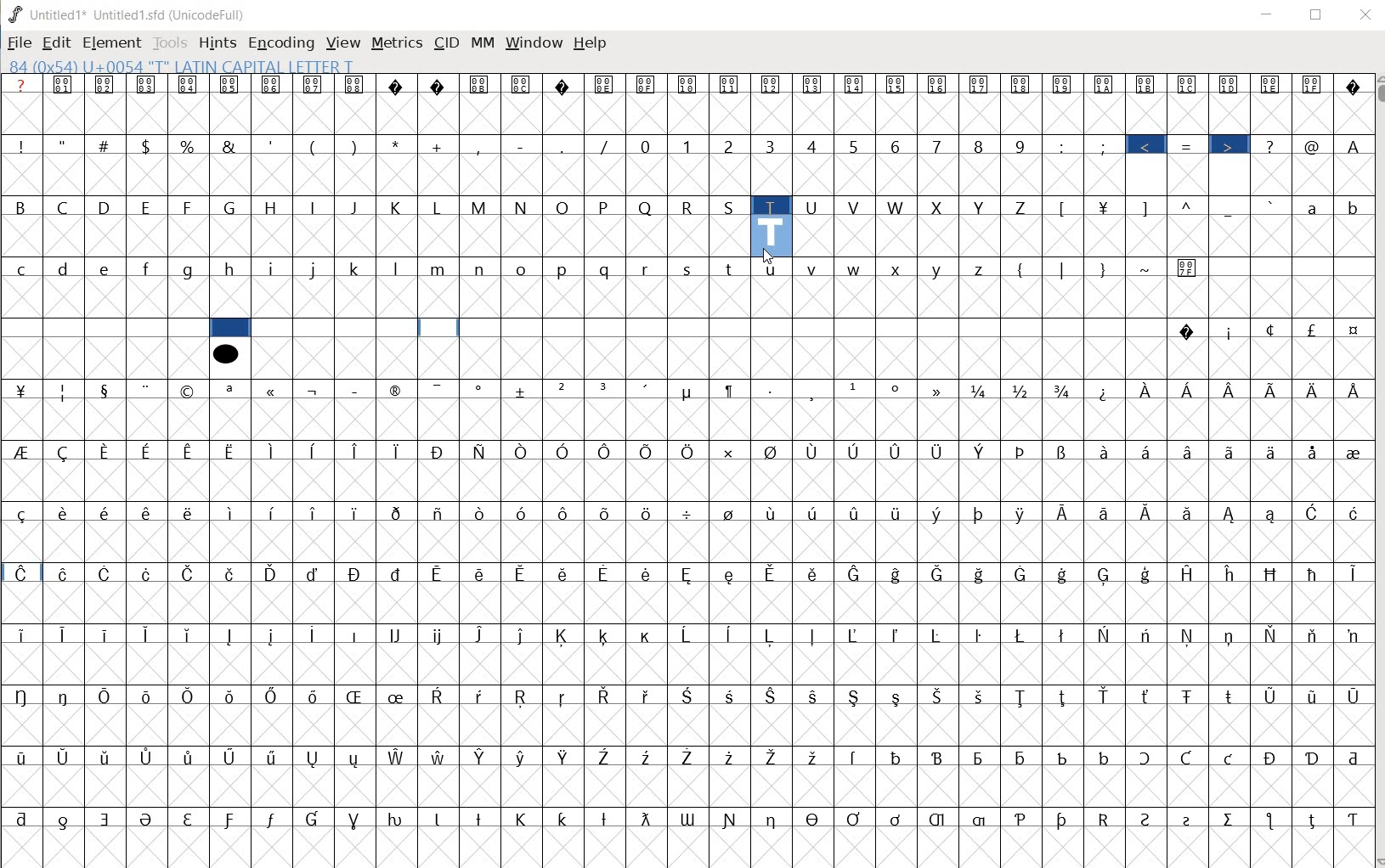 This screenshot has height=868, width=1385. I want to click on Symbol, so click(358, 511).